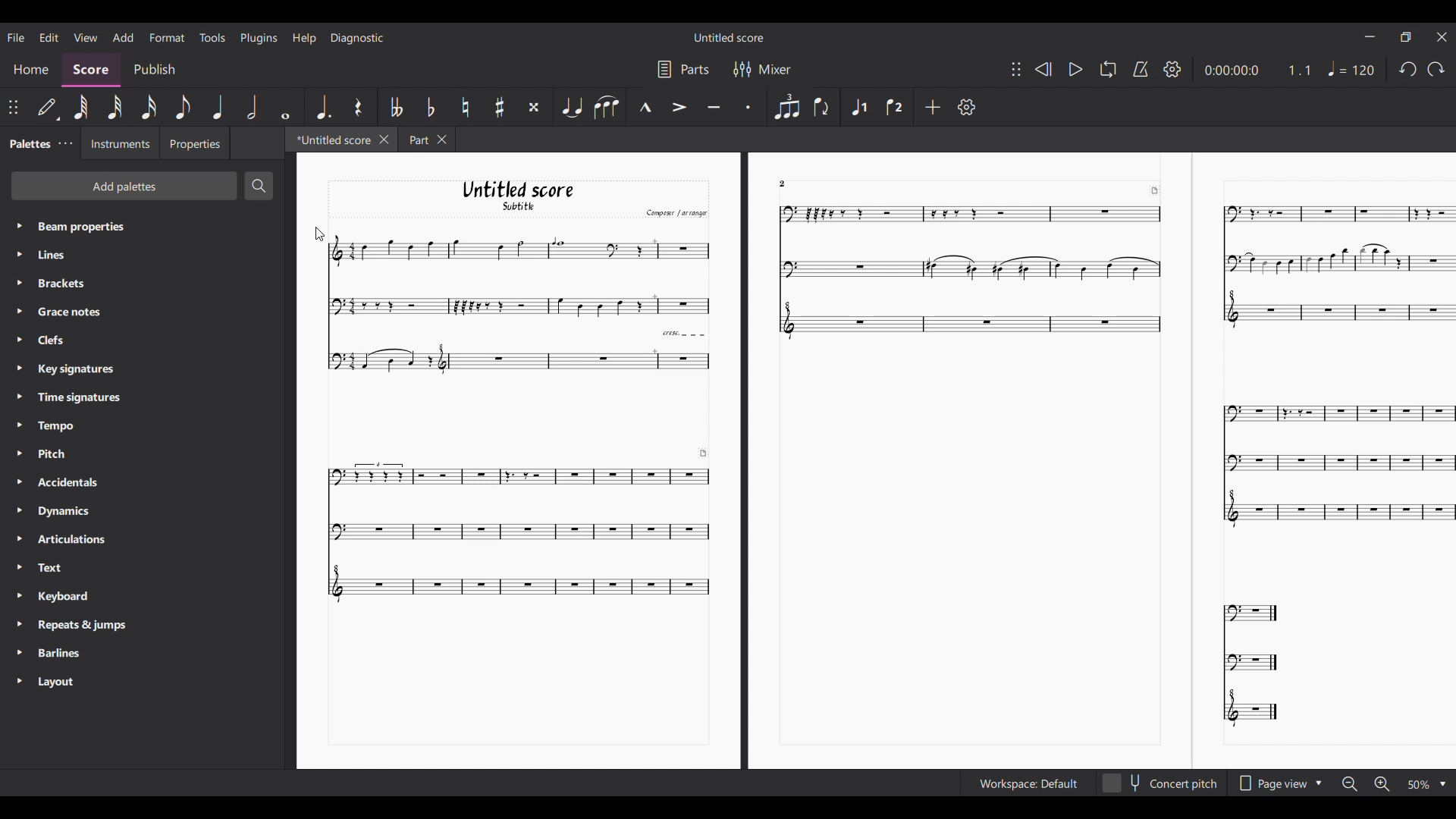  Describe the element at coordinates (966, 107) in the screenshot. I see `Settings` at that location.